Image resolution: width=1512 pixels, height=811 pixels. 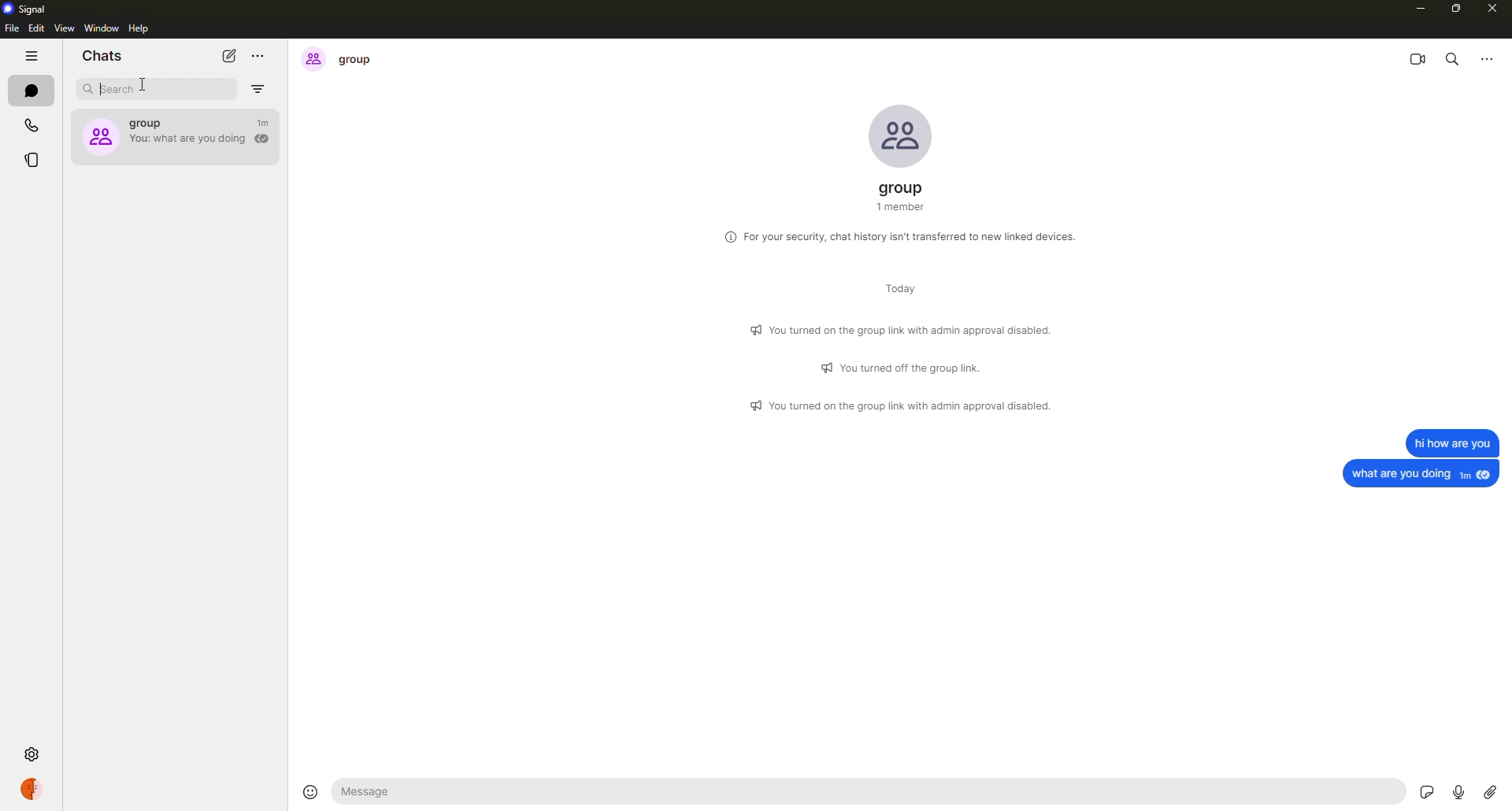 I want to click on file, so click(x=11, y=30).